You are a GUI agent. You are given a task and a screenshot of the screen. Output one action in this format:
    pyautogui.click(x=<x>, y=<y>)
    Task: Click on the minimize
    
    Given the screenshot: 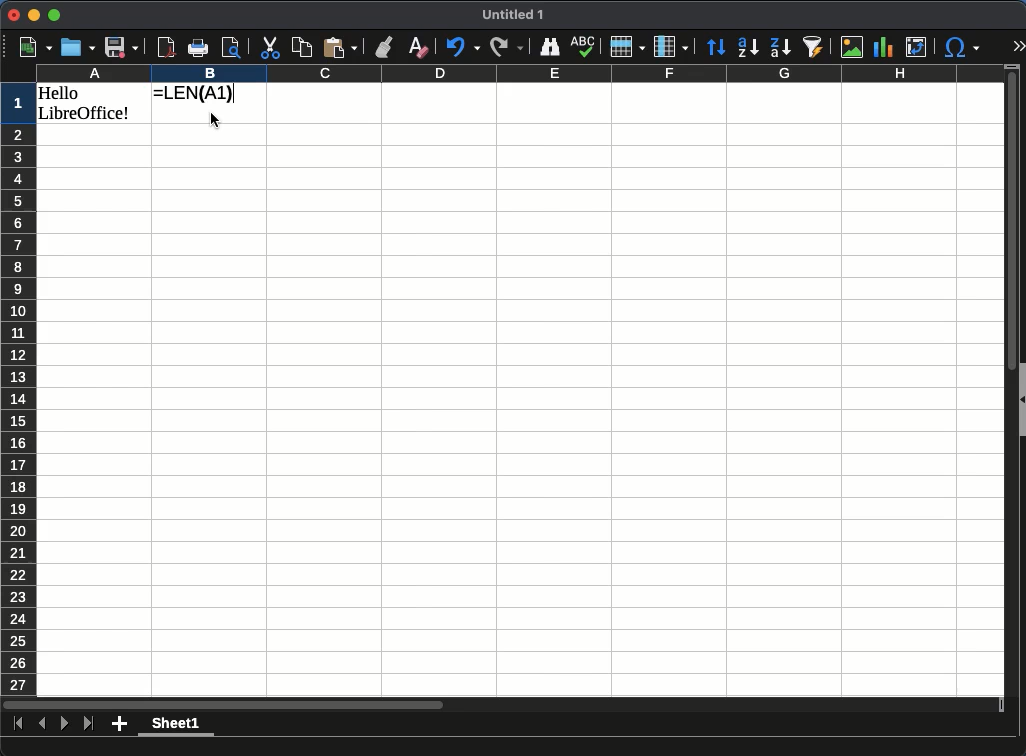 What is the action you would take?
    pyautogui.click(x=35, y=16)
    